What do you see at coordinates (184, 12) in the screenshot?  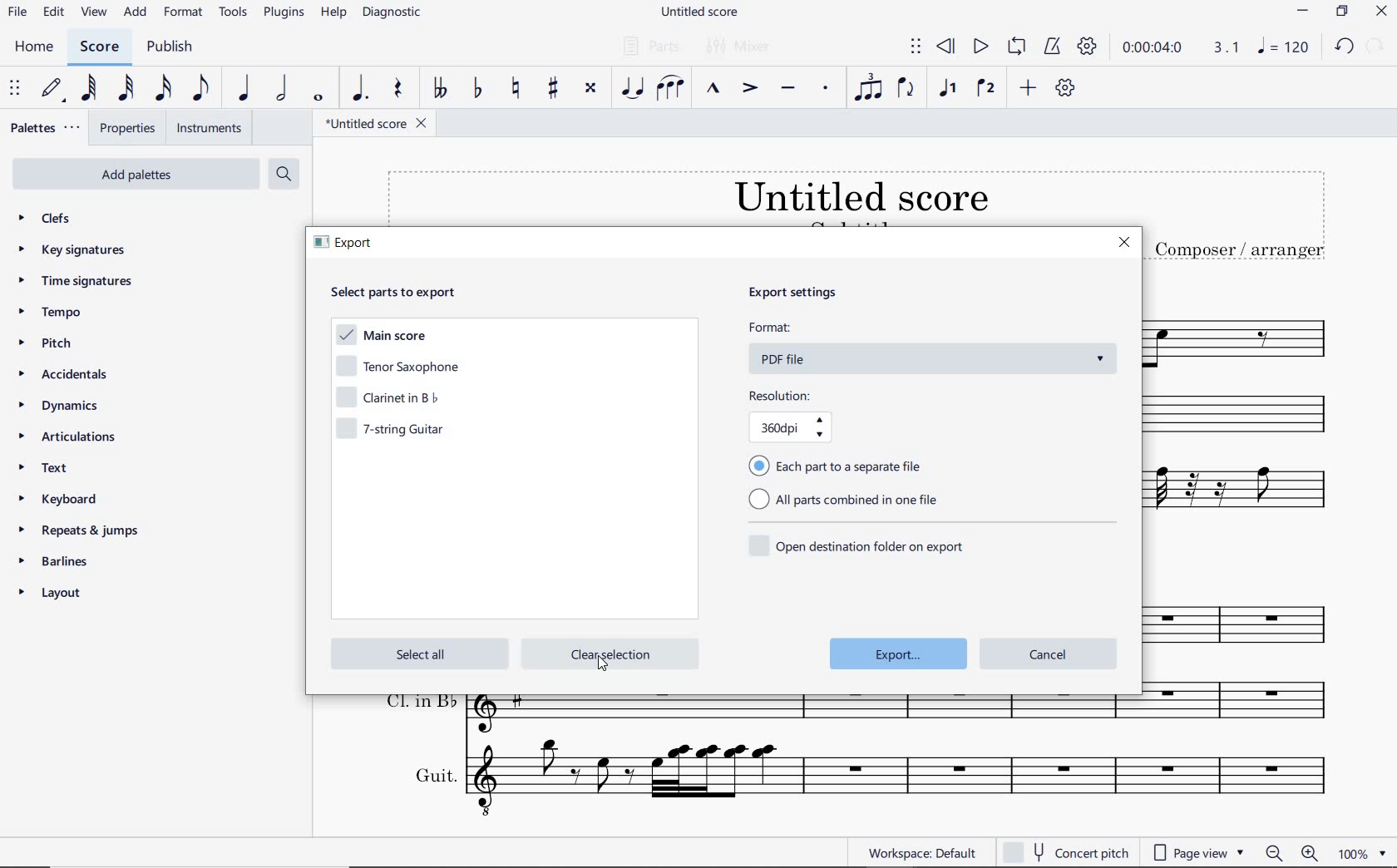 I see `FORMAT` at bounding box center [184, 12].